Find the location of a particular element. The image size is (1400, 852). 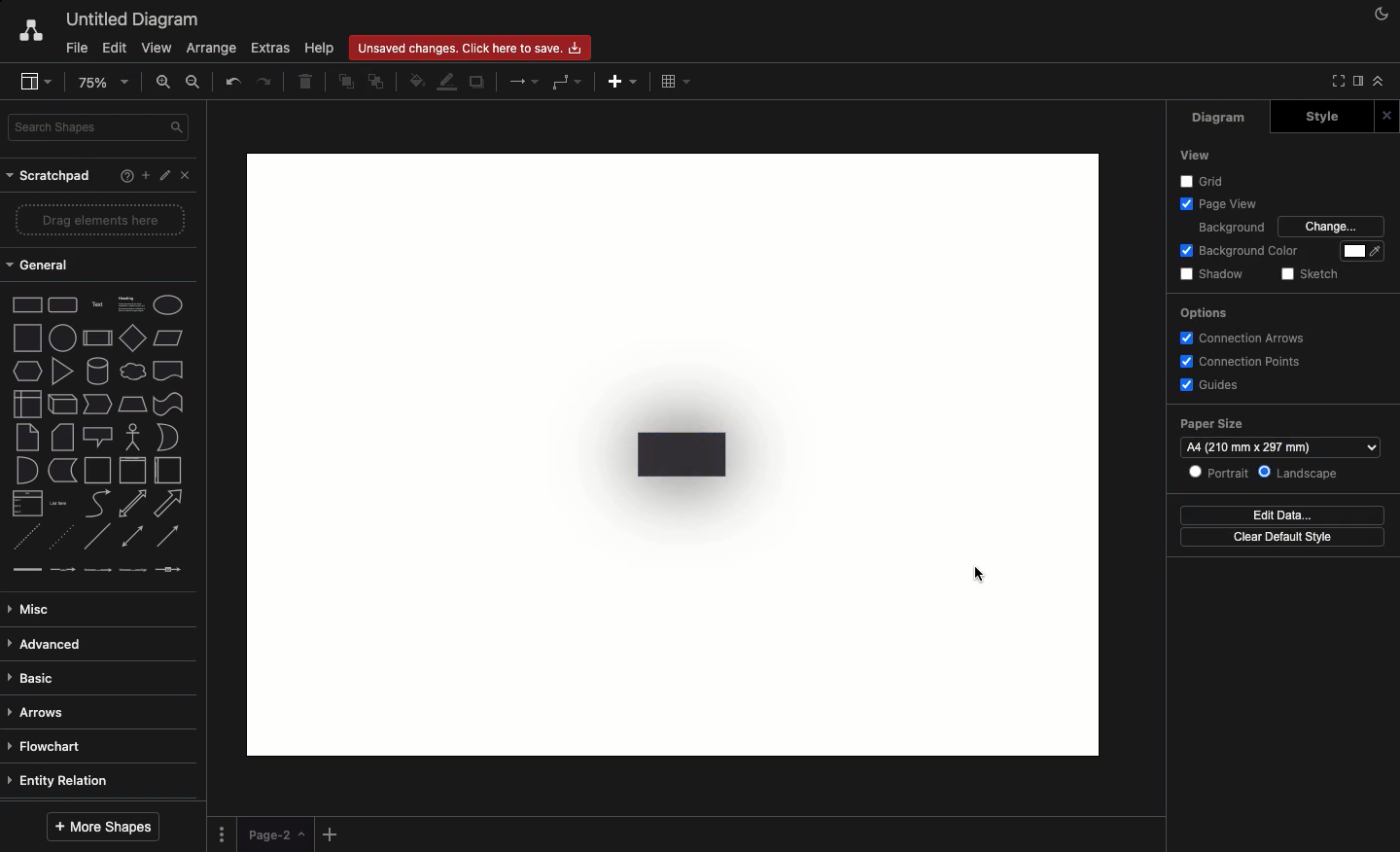

More shapes is located at coordinates (107, 826).